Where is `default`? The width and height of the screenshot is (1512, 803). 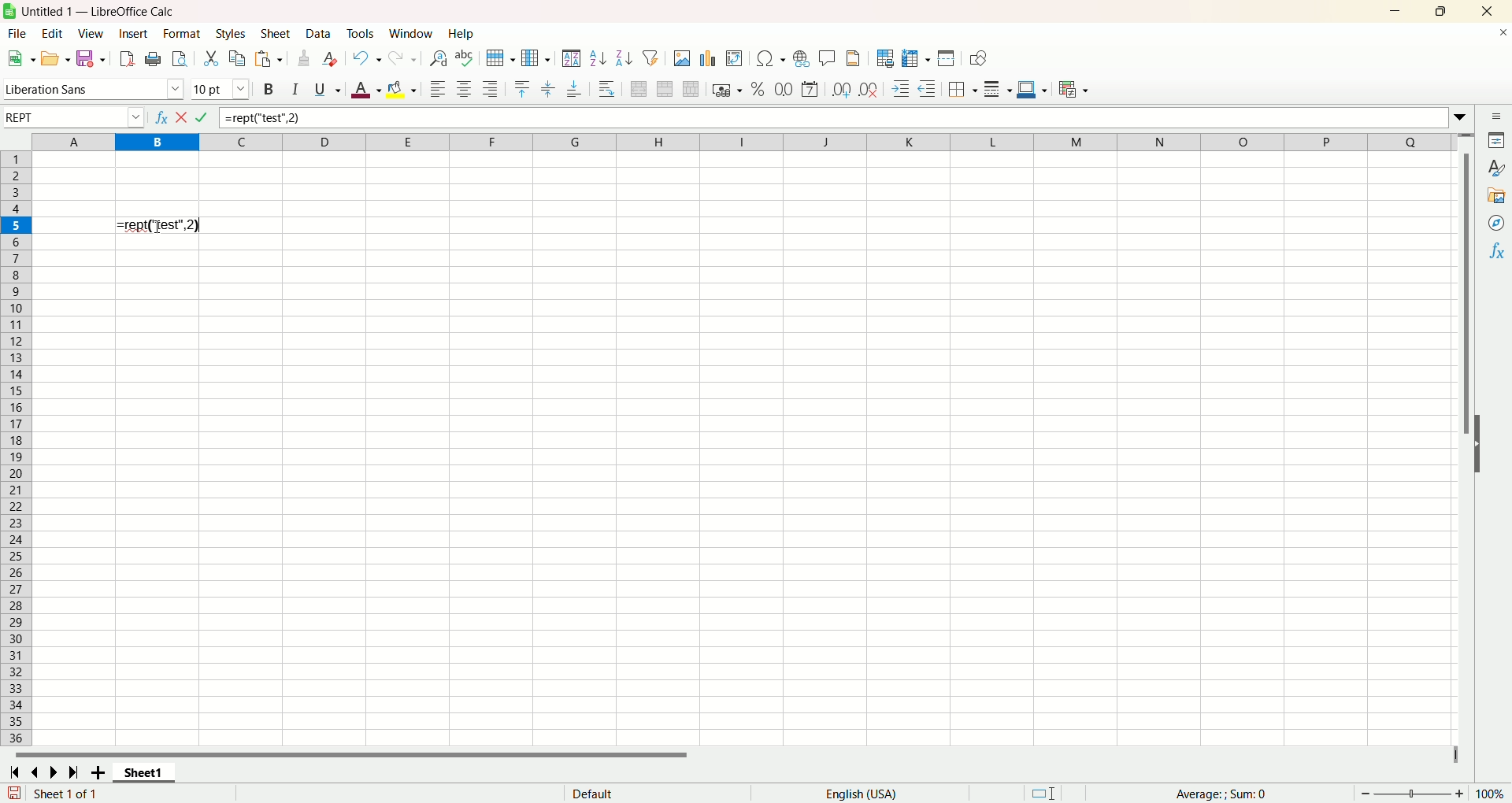 default is located at coordinates (651, 794).